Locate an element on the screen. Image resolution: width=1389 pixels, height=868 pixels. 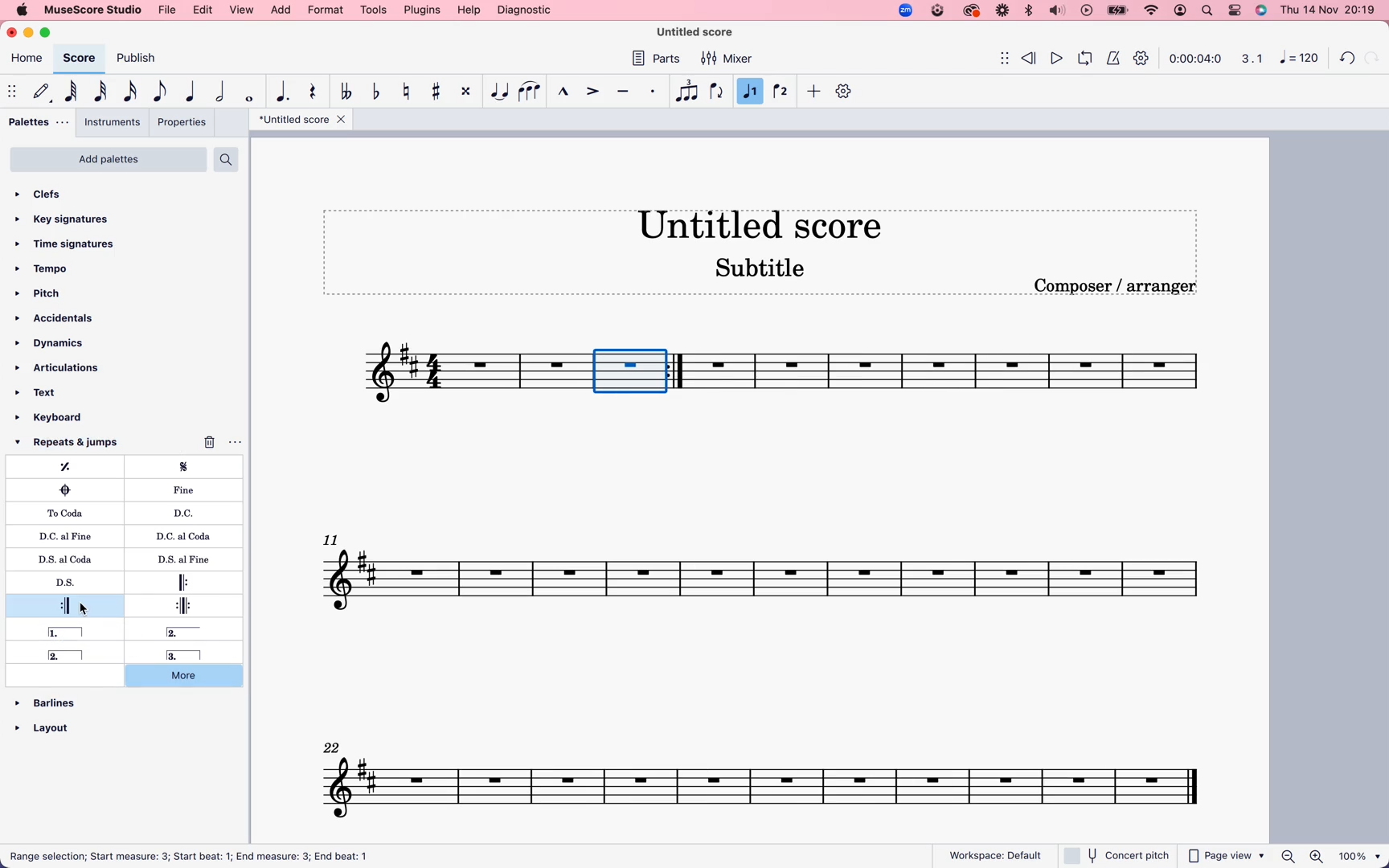
help is located at coordinates (468, 10).